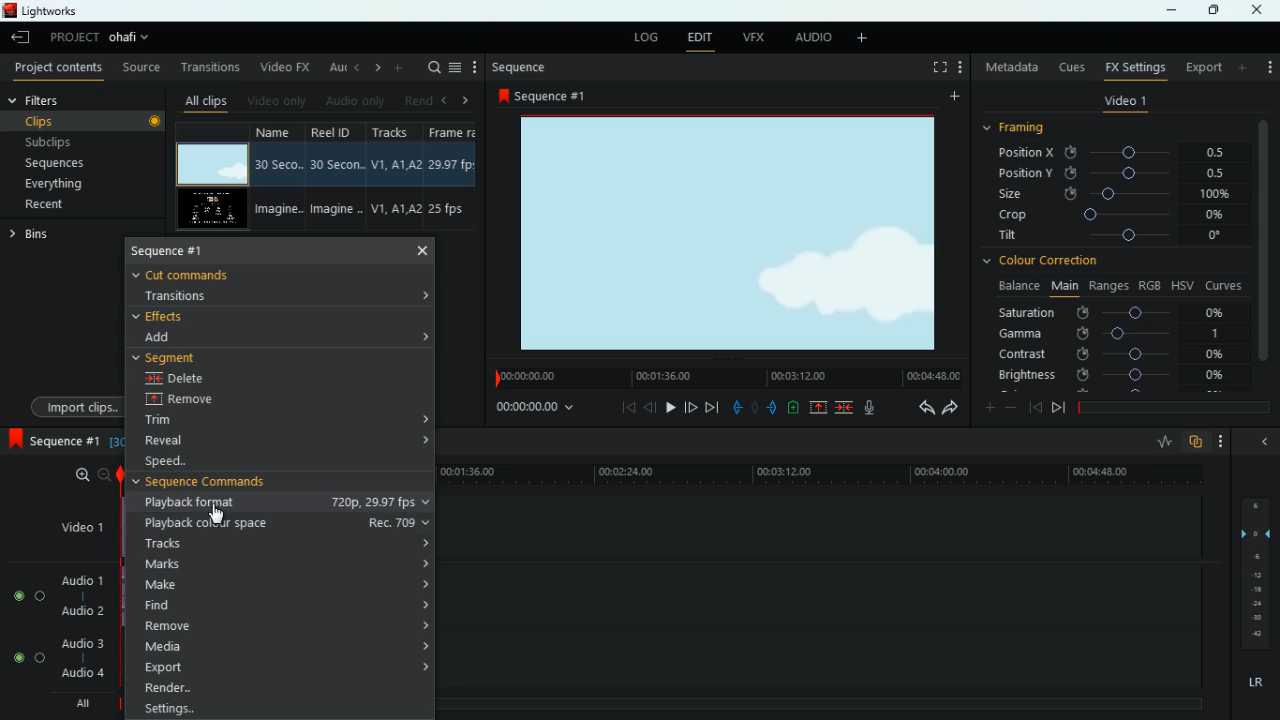 The image size is (1280, 720). Describe the element at coordinates (286, 605) in the screenshot. I see `find` at that location.